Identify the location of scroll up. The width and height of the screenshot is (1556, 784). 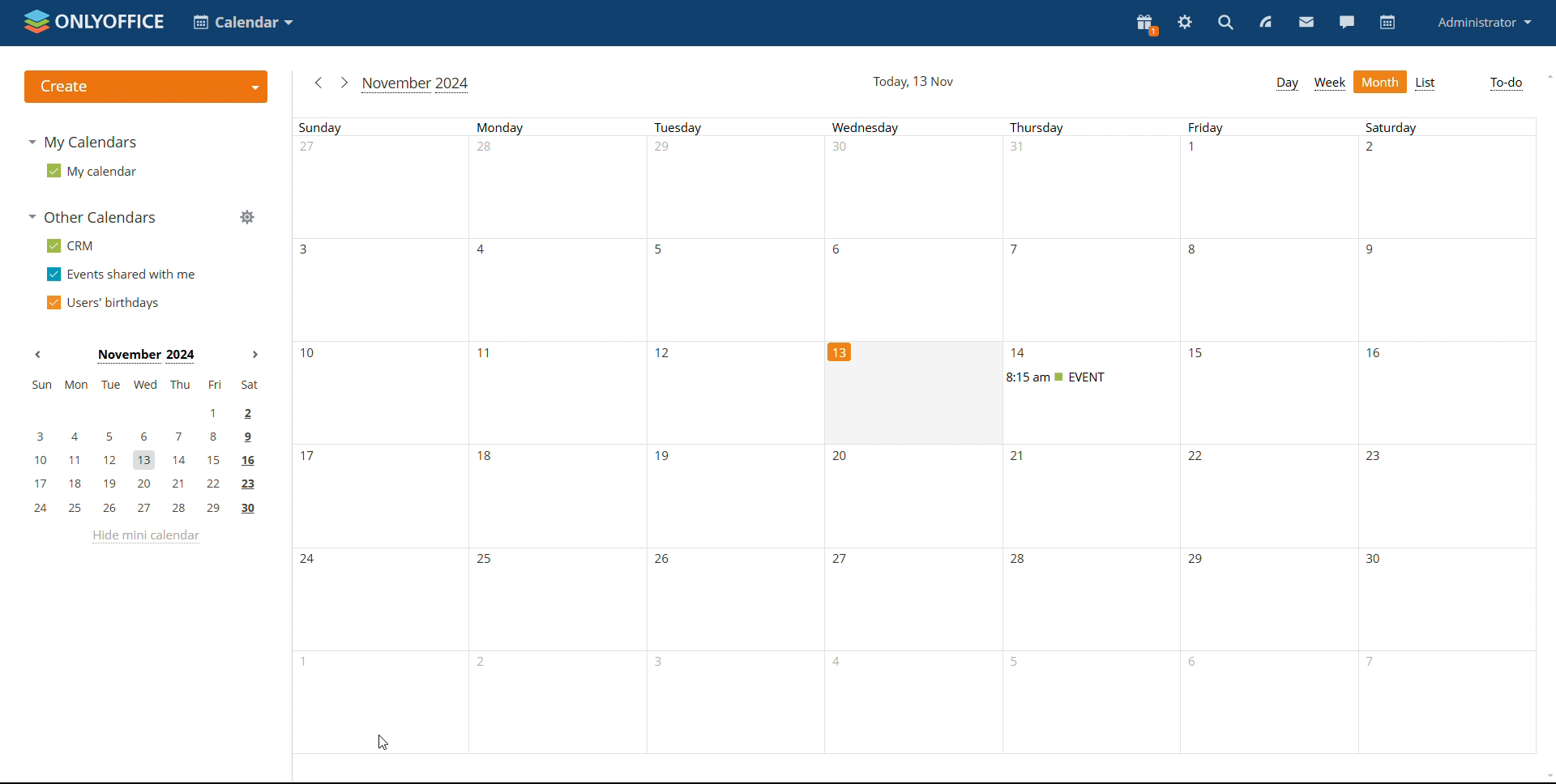
(1546, 76).